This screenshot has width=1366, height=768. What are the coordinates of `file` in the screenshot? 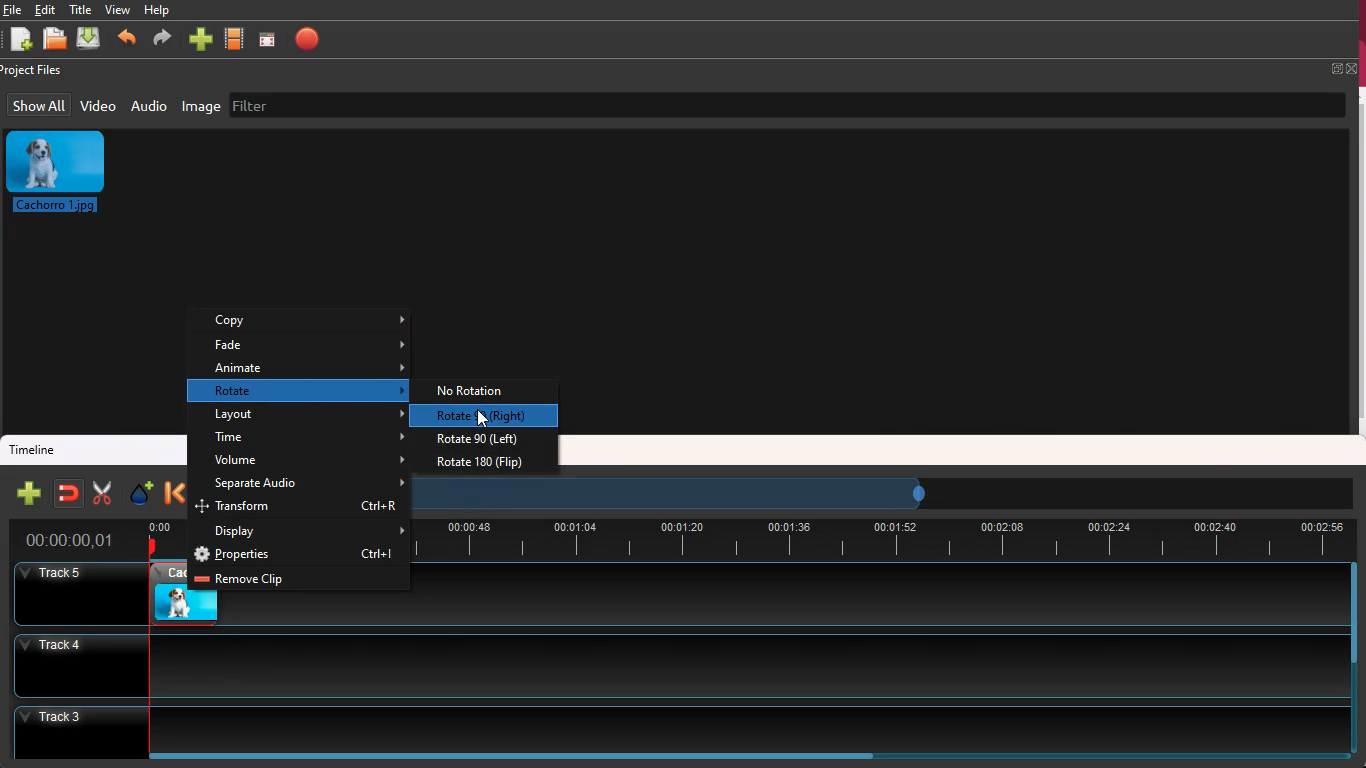 It's located at (11, 11).